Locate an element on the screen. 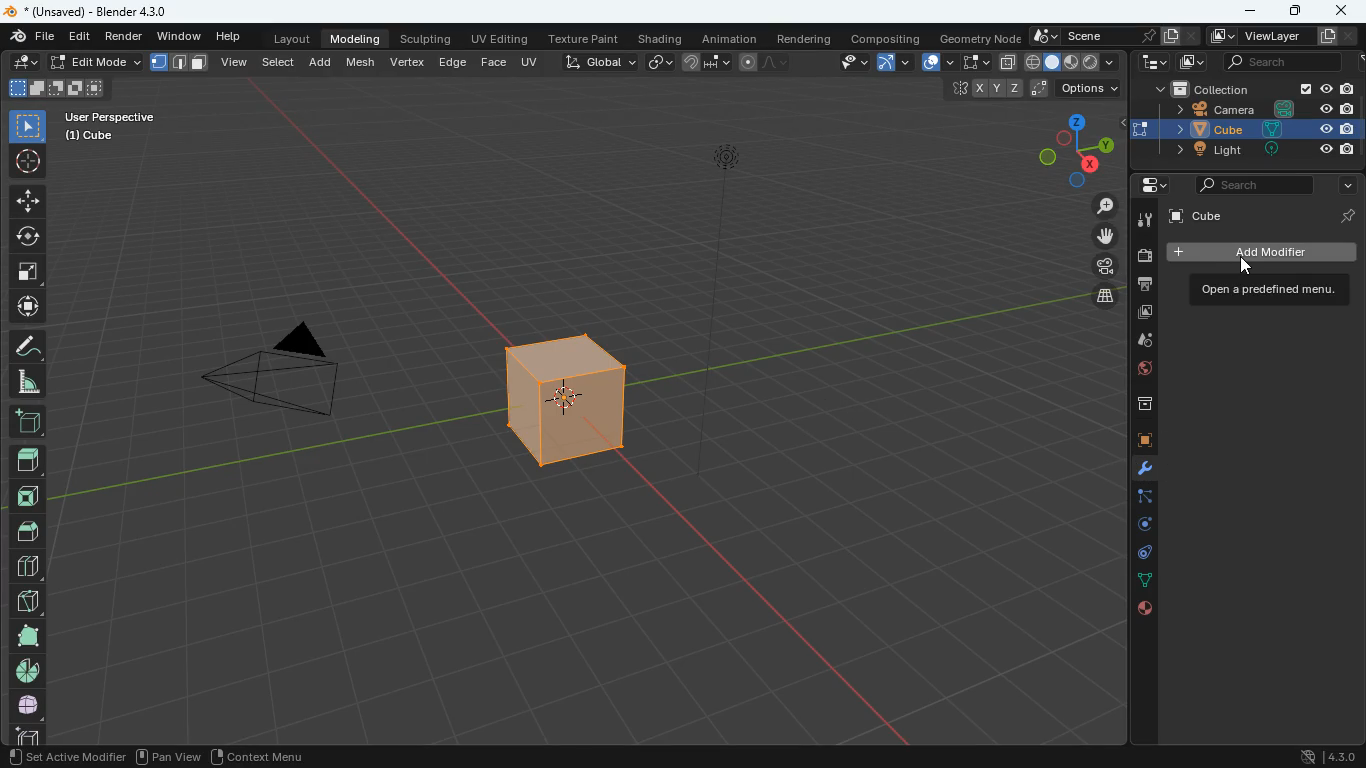 This screenshot has height=768, width=1366. camera is located at coordinates (272, 376).